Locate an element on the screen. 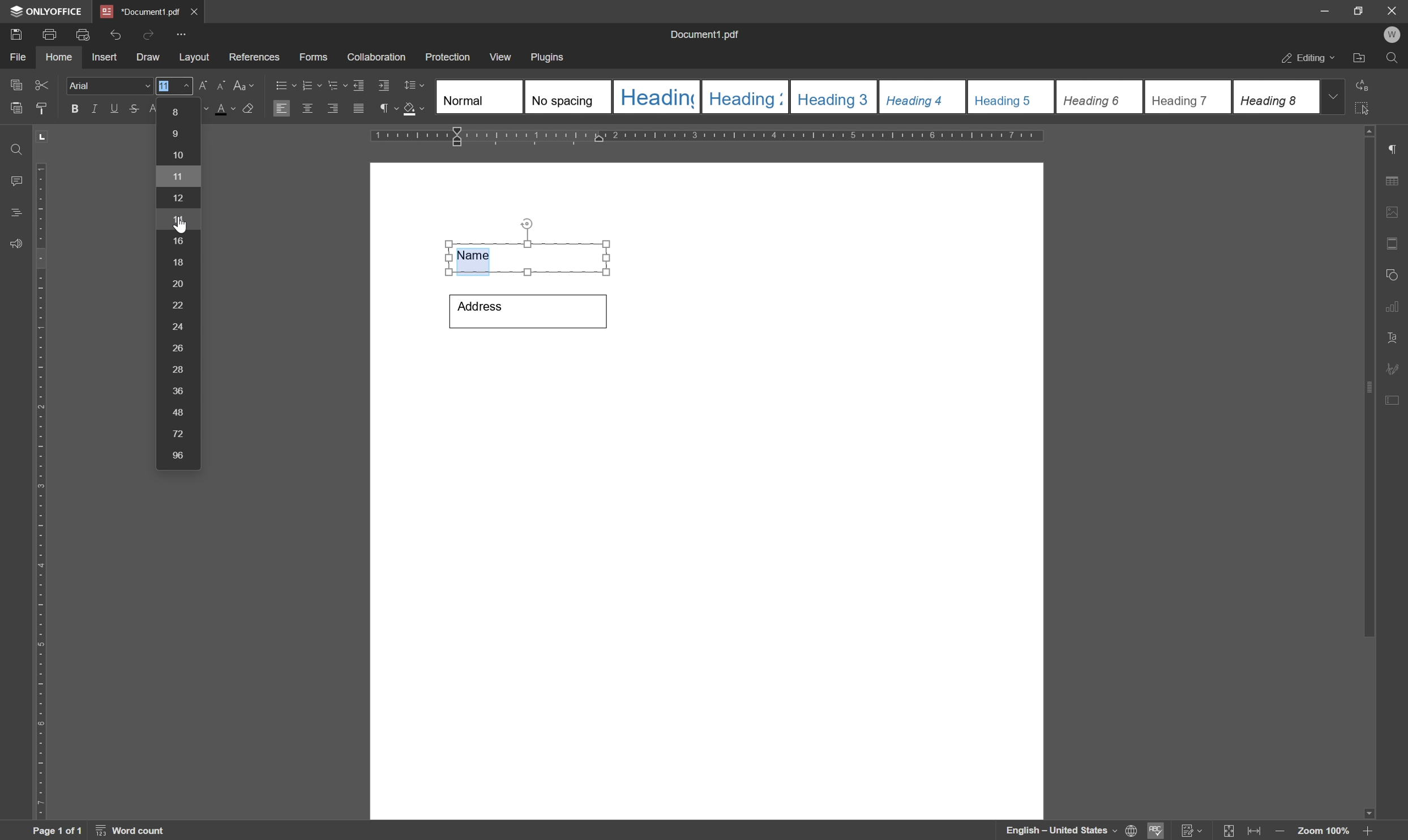 The image size is (1408, 840). customize quick access toolbar is located at coordinates (183, 34).